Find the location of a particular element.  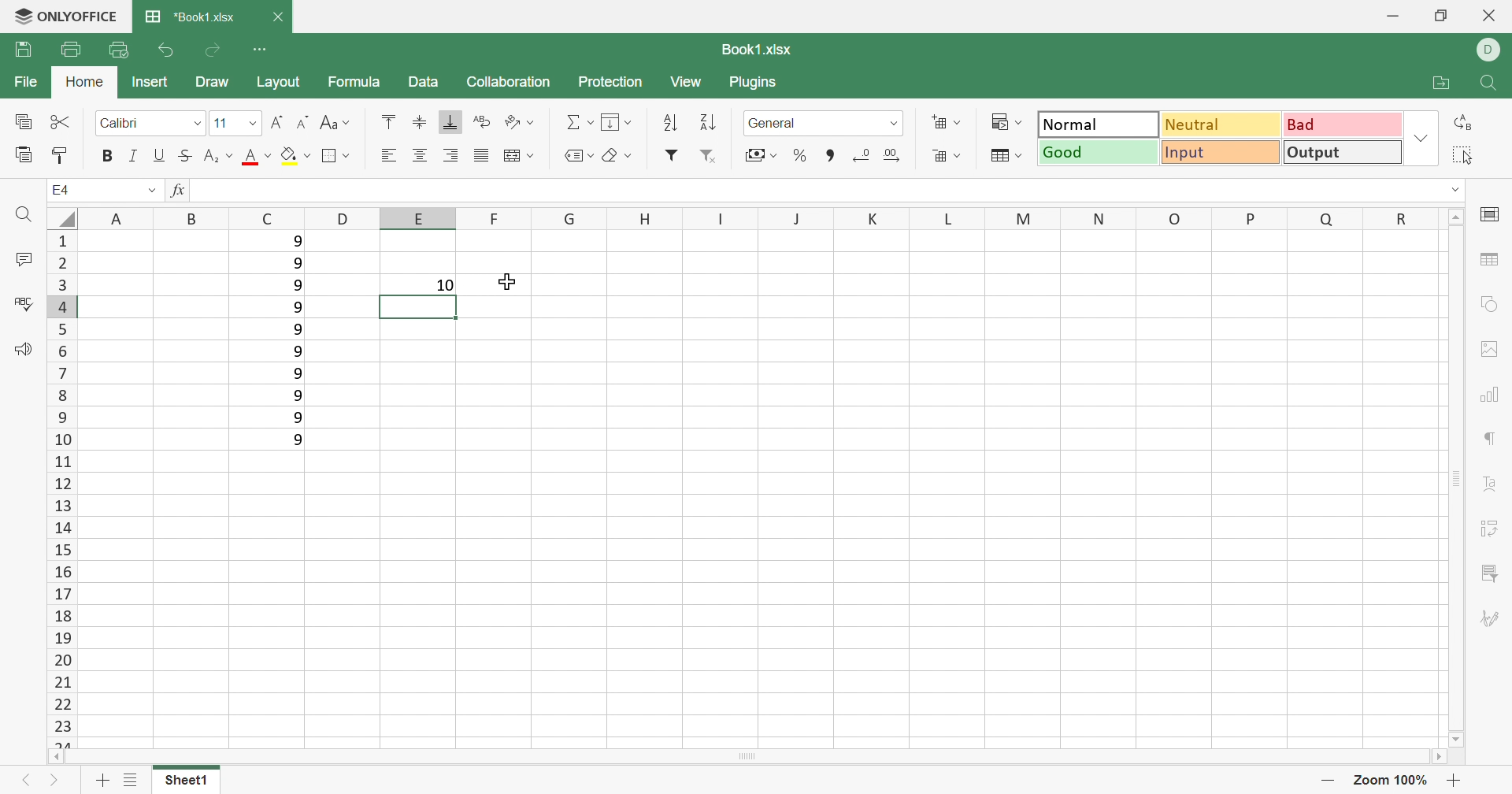

Increment Font size is located at coordinates (278, 123).